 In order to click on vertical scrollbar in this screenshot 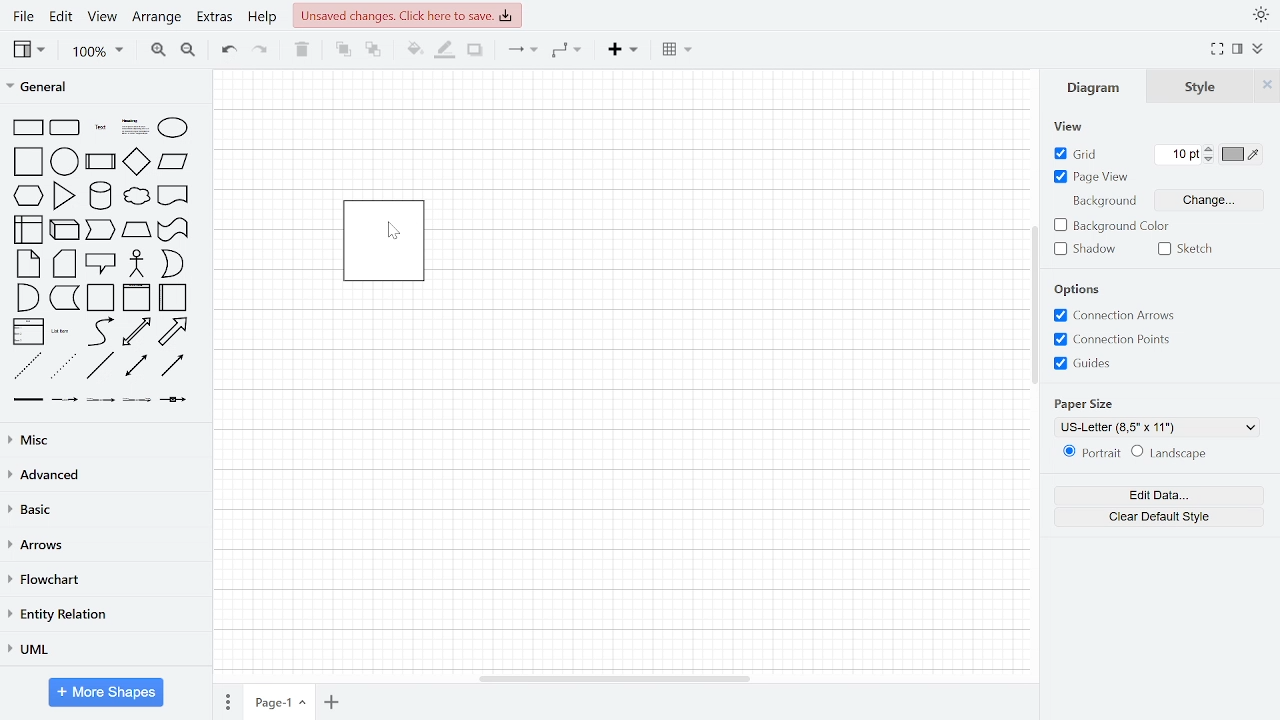, I will do `click(1035, 307)`.